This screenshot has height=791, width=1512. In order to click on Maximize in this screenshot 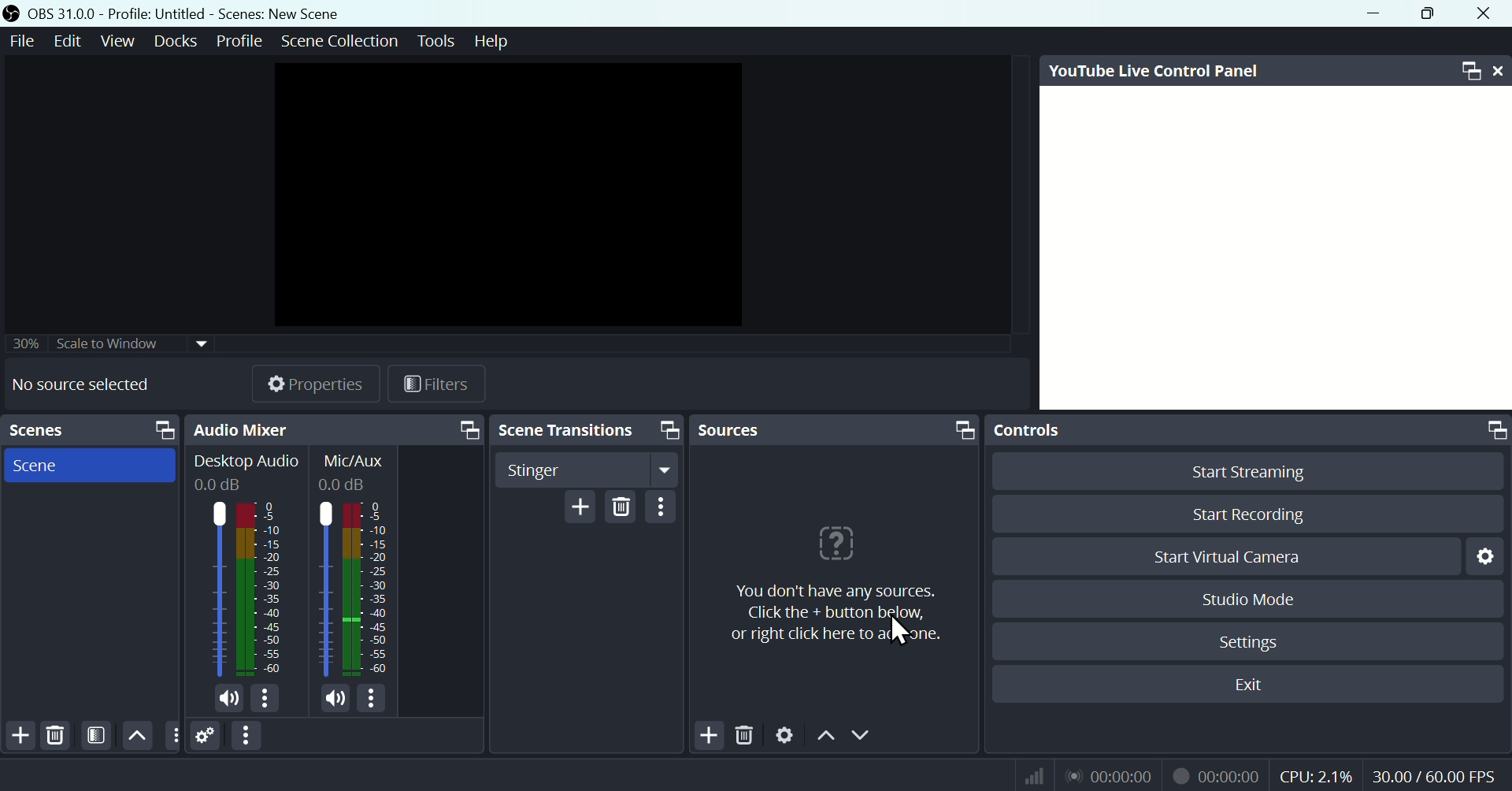, I will do `click(1466, 71)`.